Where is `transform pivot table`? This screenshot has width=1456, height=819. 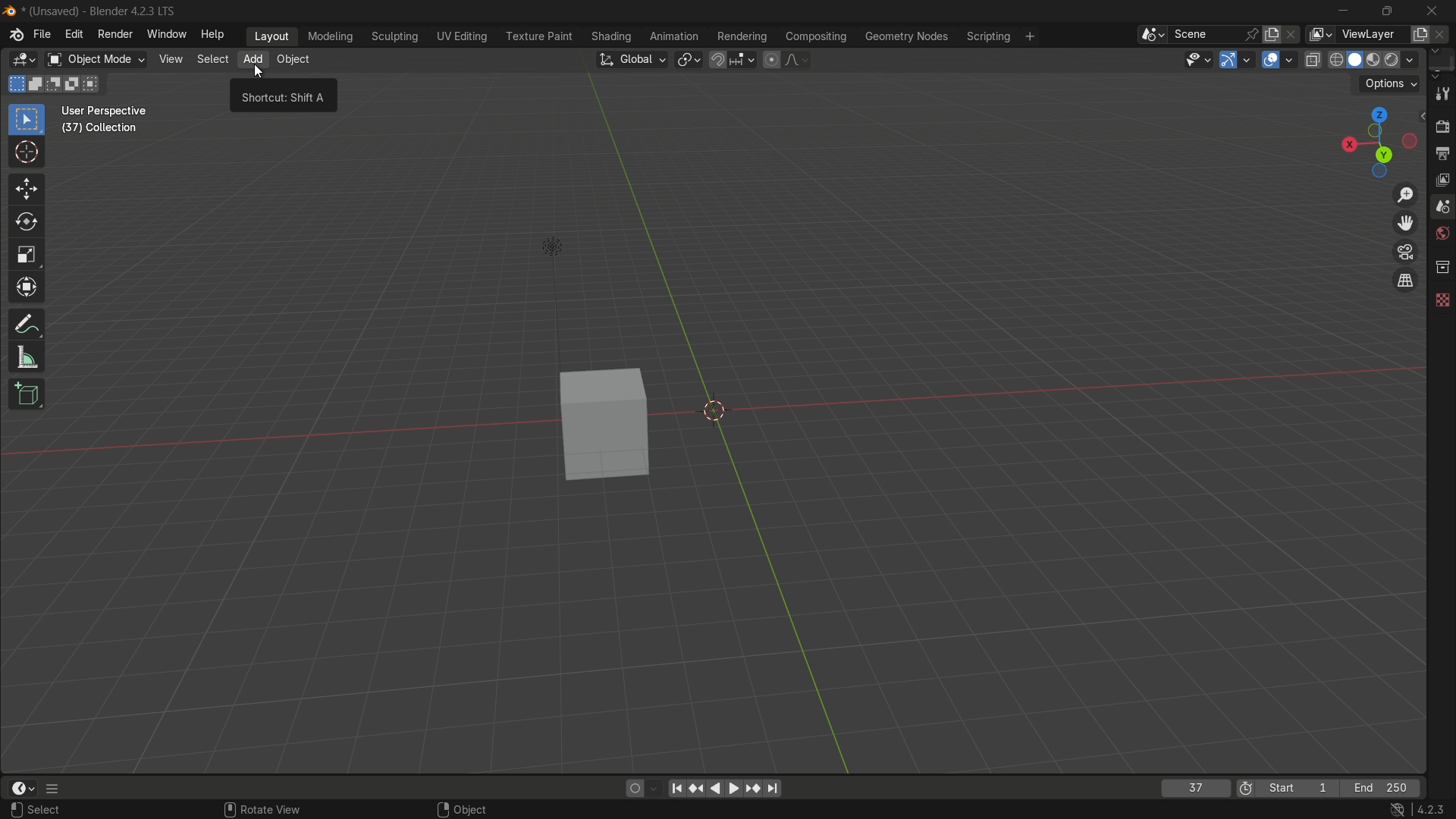
transform pivot table is located at coordinates (688, 61).